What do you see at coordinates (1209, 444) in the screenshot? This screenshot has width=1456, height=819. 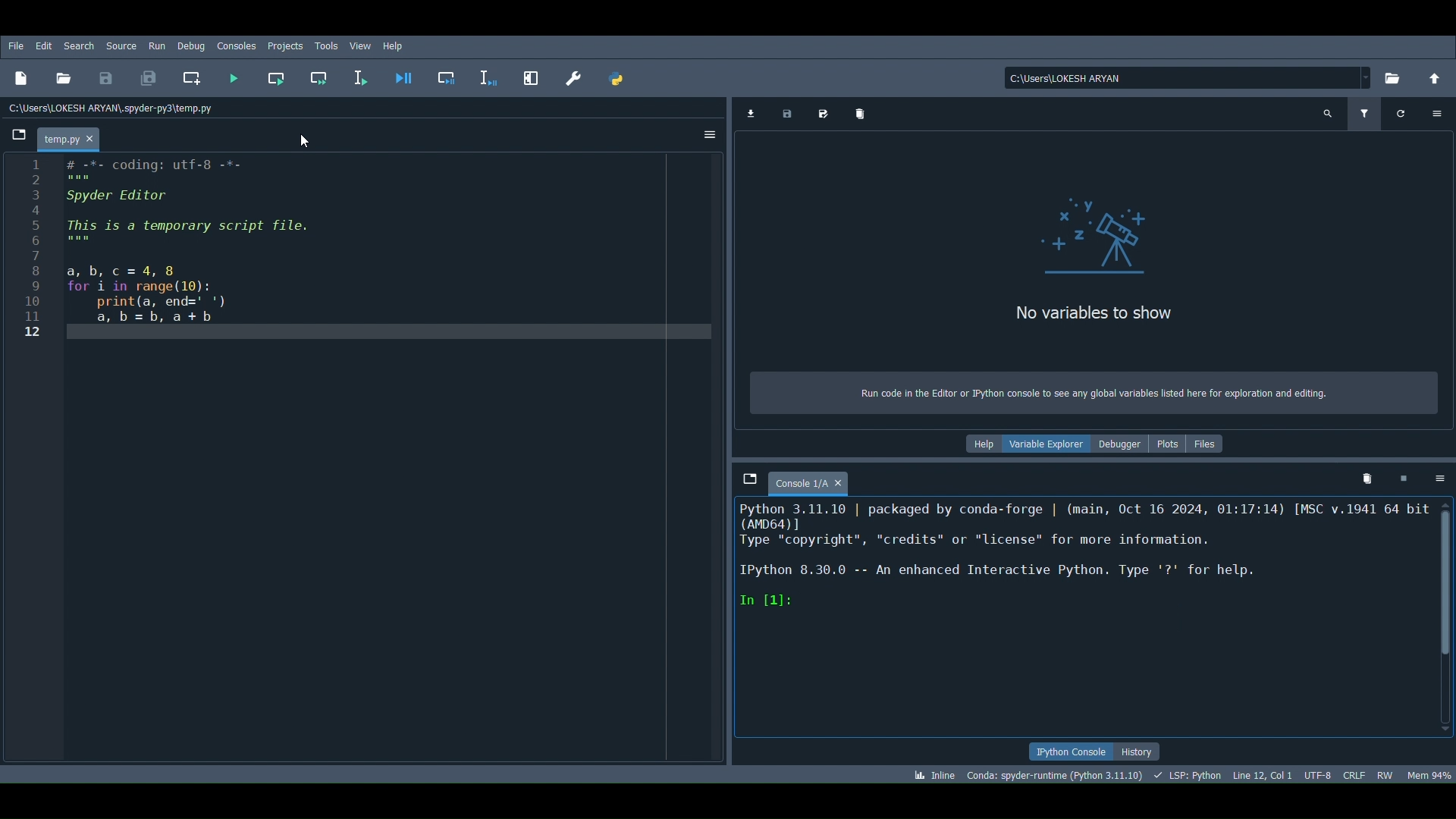 I see `Files` at bounding box center [1209, 444].